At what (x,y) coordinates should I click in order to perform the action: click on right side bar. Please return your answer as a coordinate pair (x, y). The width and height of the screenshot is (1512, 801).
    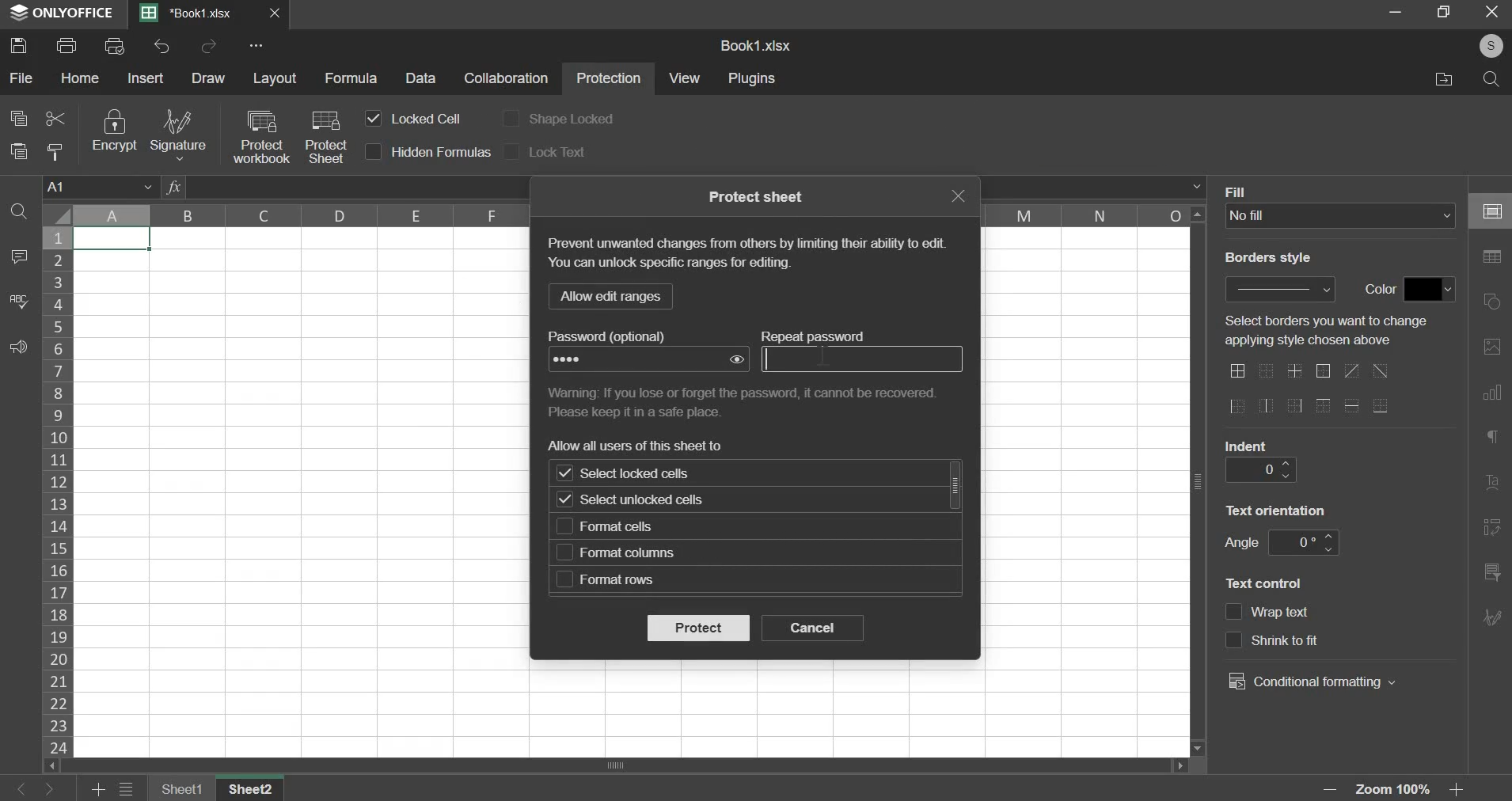
    Looking at the image, I should click on (1492, 615).